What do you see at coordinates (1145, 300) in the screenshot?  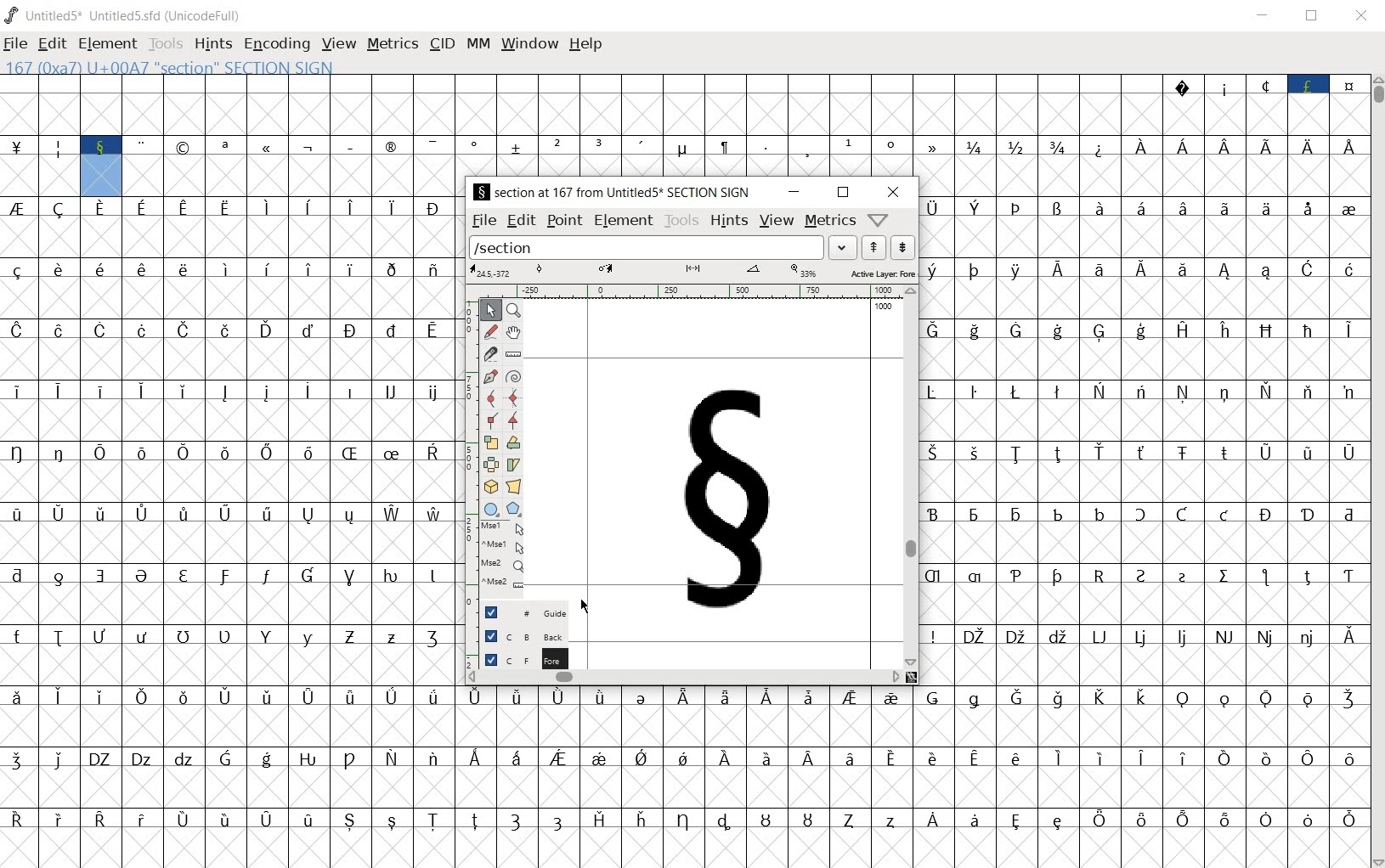 I see `empty cells` at bounding box center [1145, 300].